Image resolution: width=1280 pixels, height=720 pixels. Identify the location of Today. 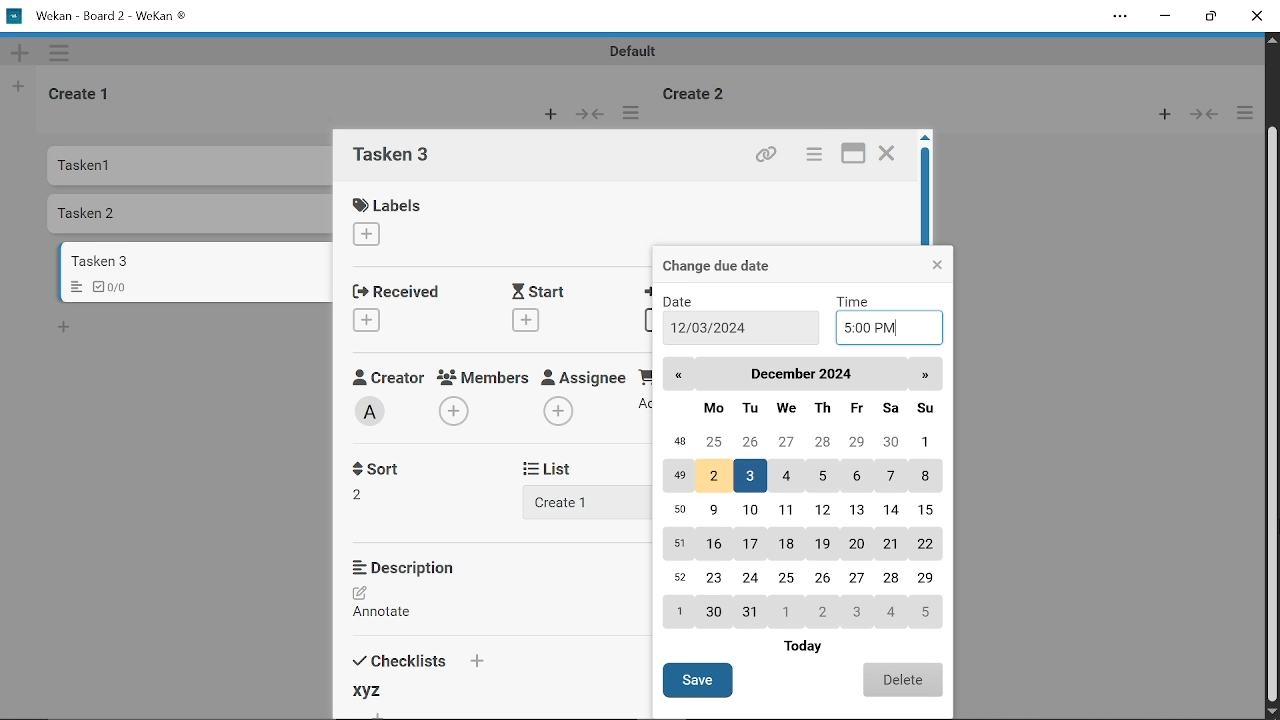
(804, 646).